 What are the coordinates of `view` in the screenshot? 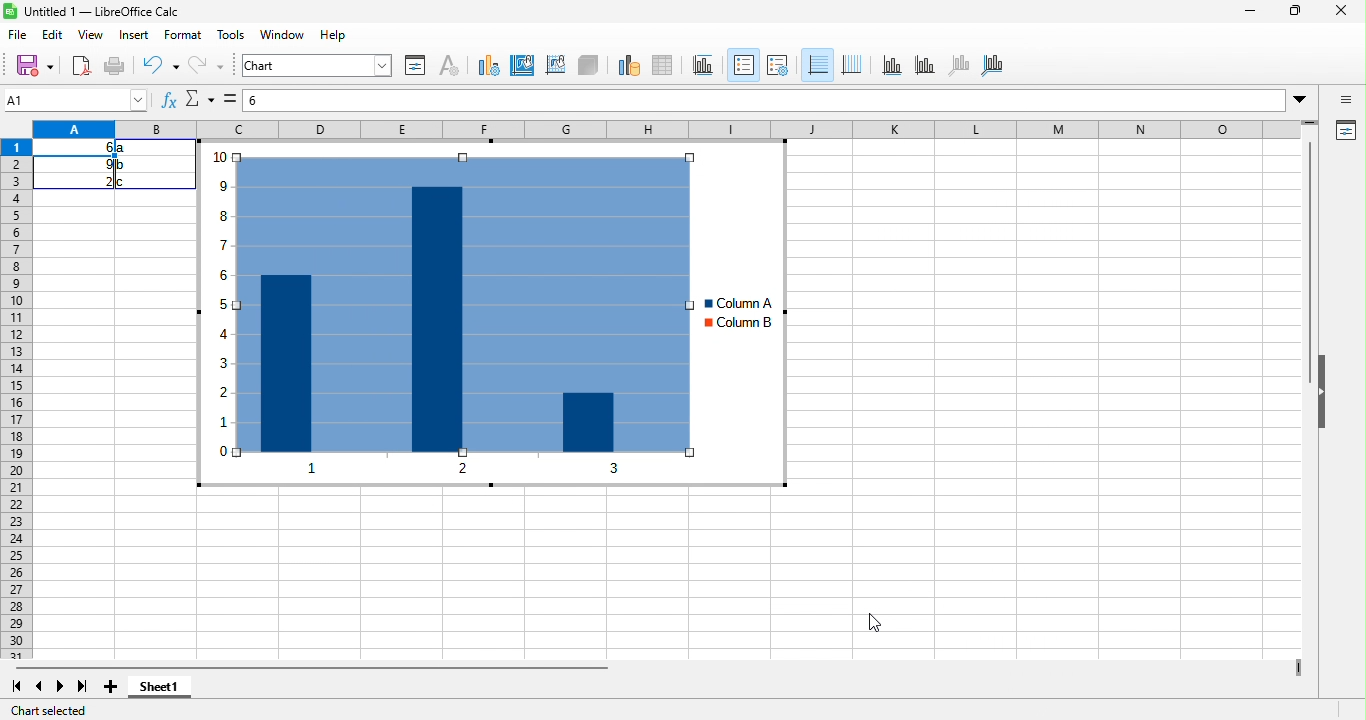 It's located at (91, 35).